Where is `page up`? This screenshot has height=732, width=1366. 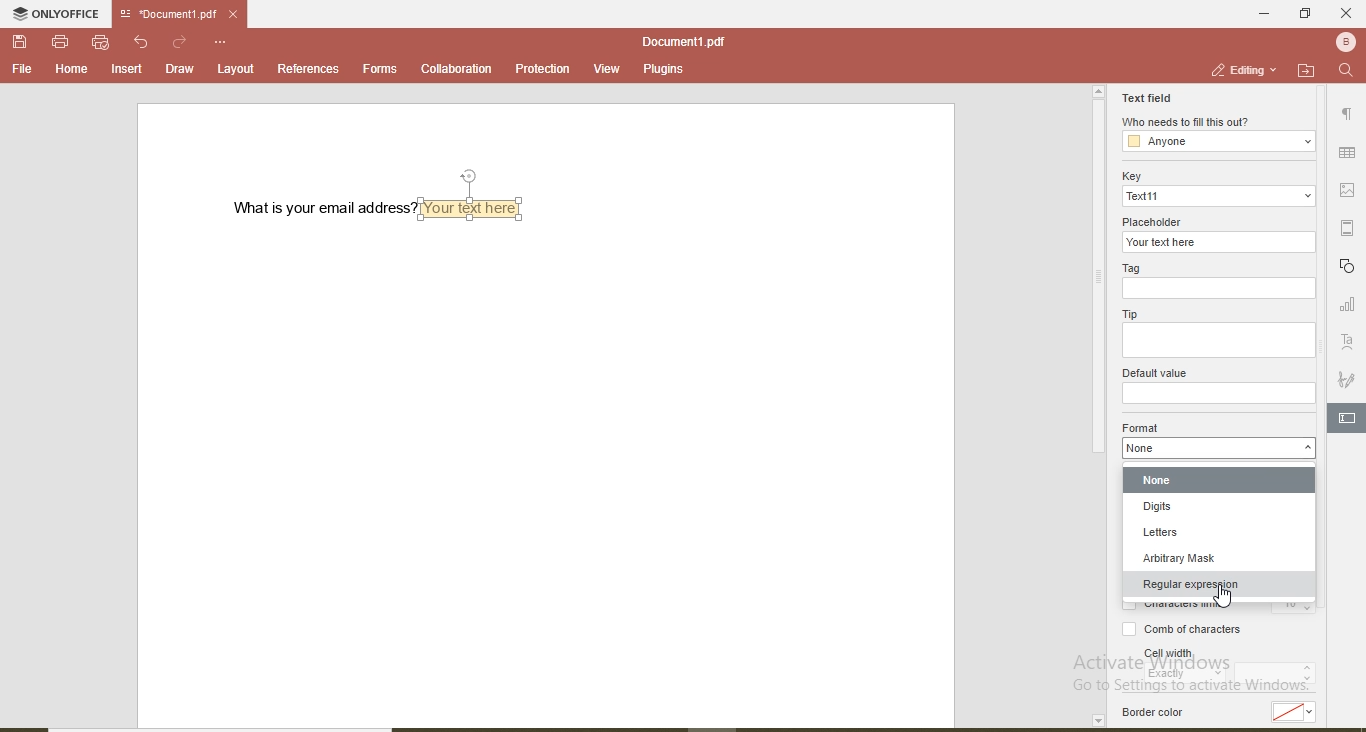 page up is located at coordinates (1098, 92).